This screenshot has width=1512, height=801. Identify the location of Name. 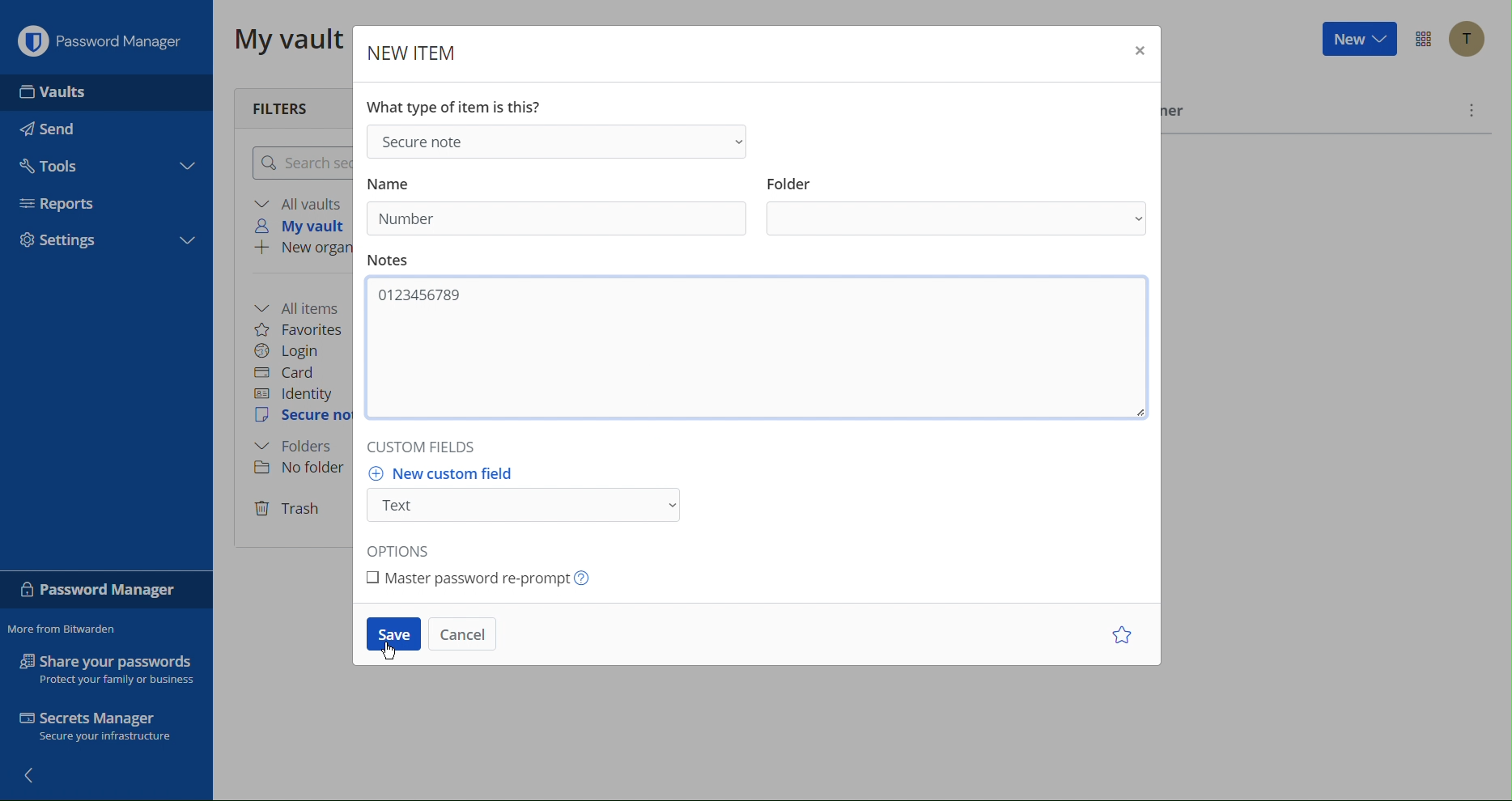
(401, 180).